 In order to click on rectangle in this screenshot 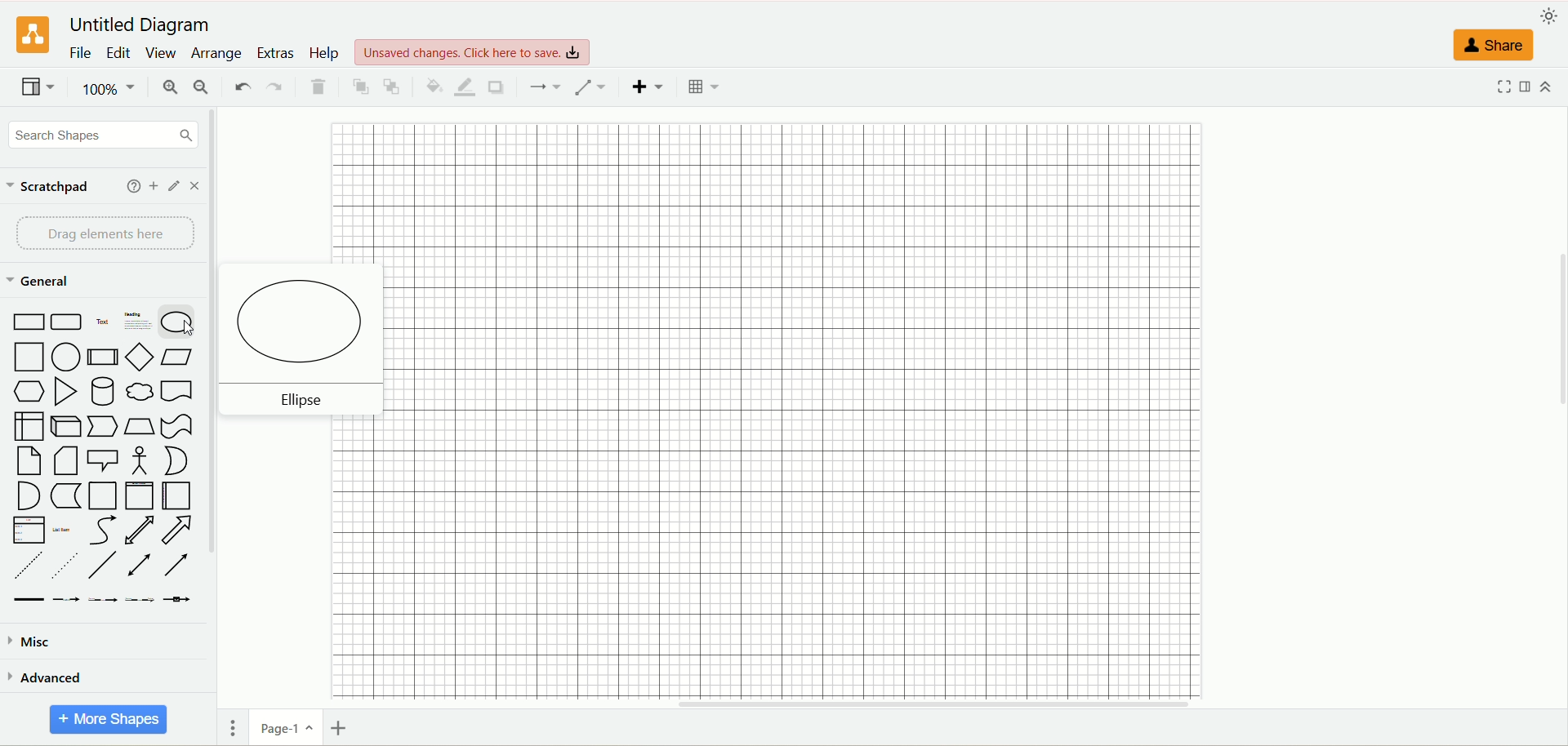, I will do `click(26, 322)`.